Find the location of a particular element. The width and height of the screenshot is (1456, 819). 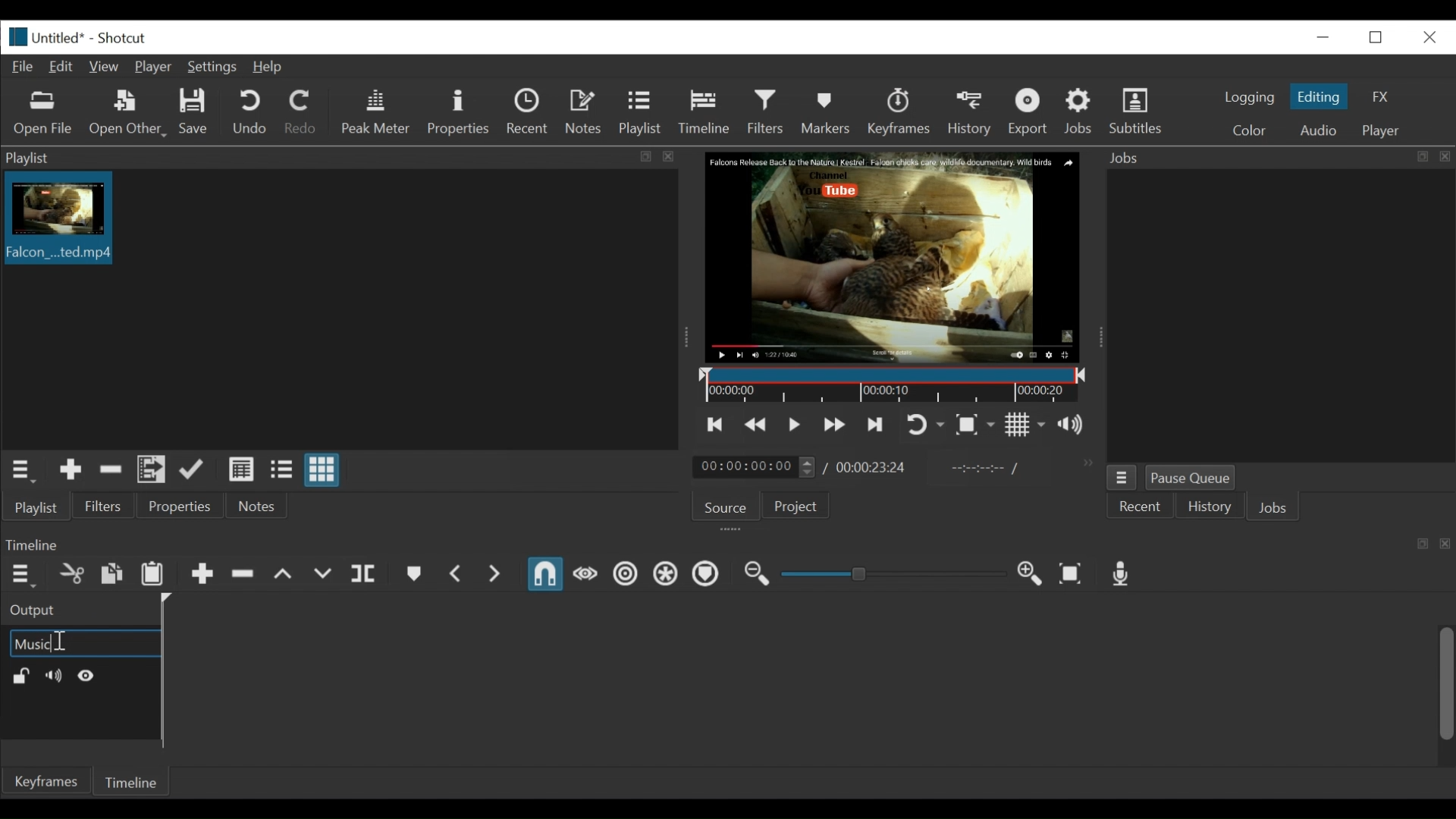

Snap is located at coordinates (547, 576).